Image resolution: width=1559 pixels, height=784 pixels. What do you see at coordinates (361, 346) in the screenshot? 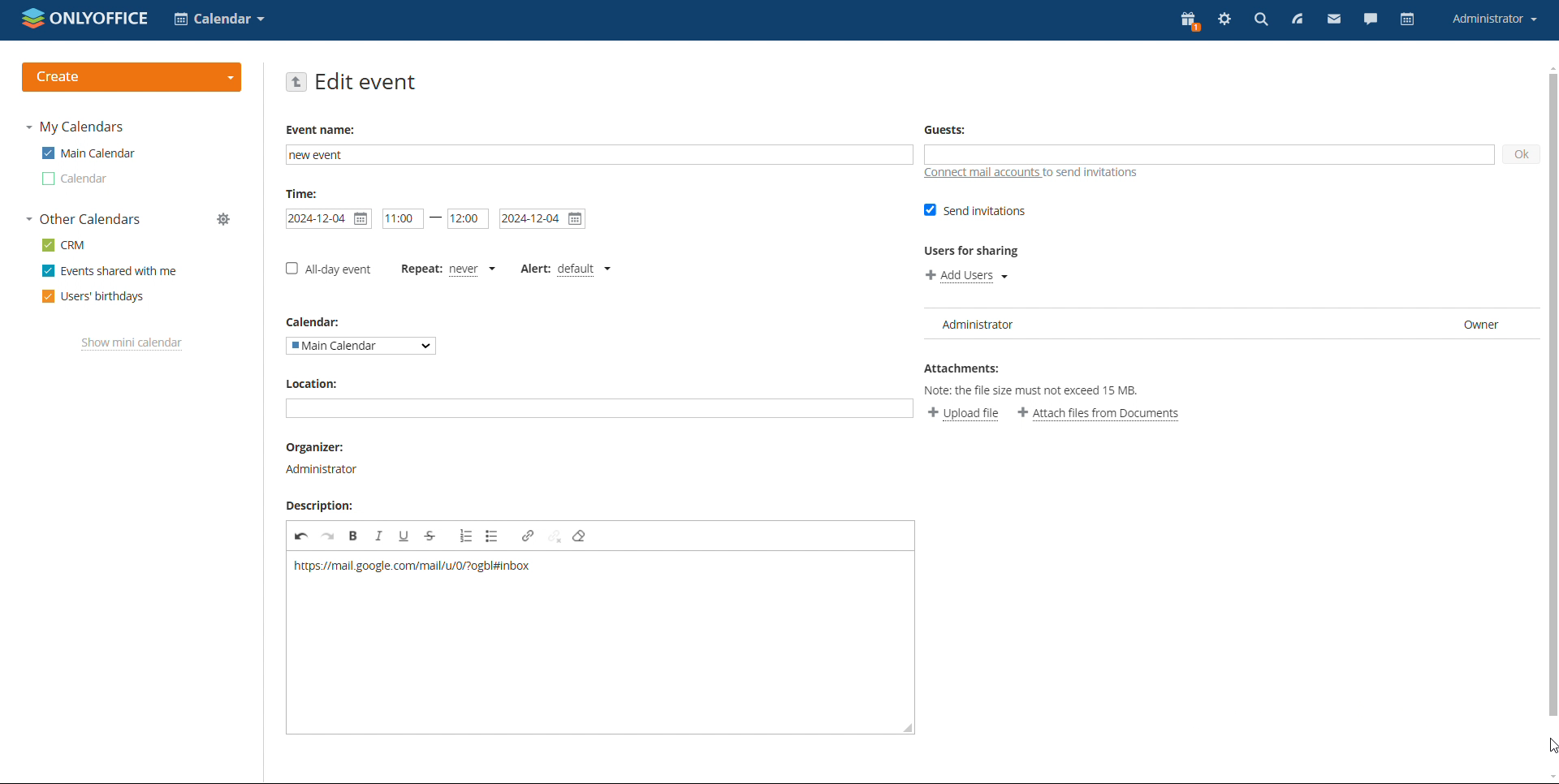
I see `select calendar` at bounding box center [361, 346].